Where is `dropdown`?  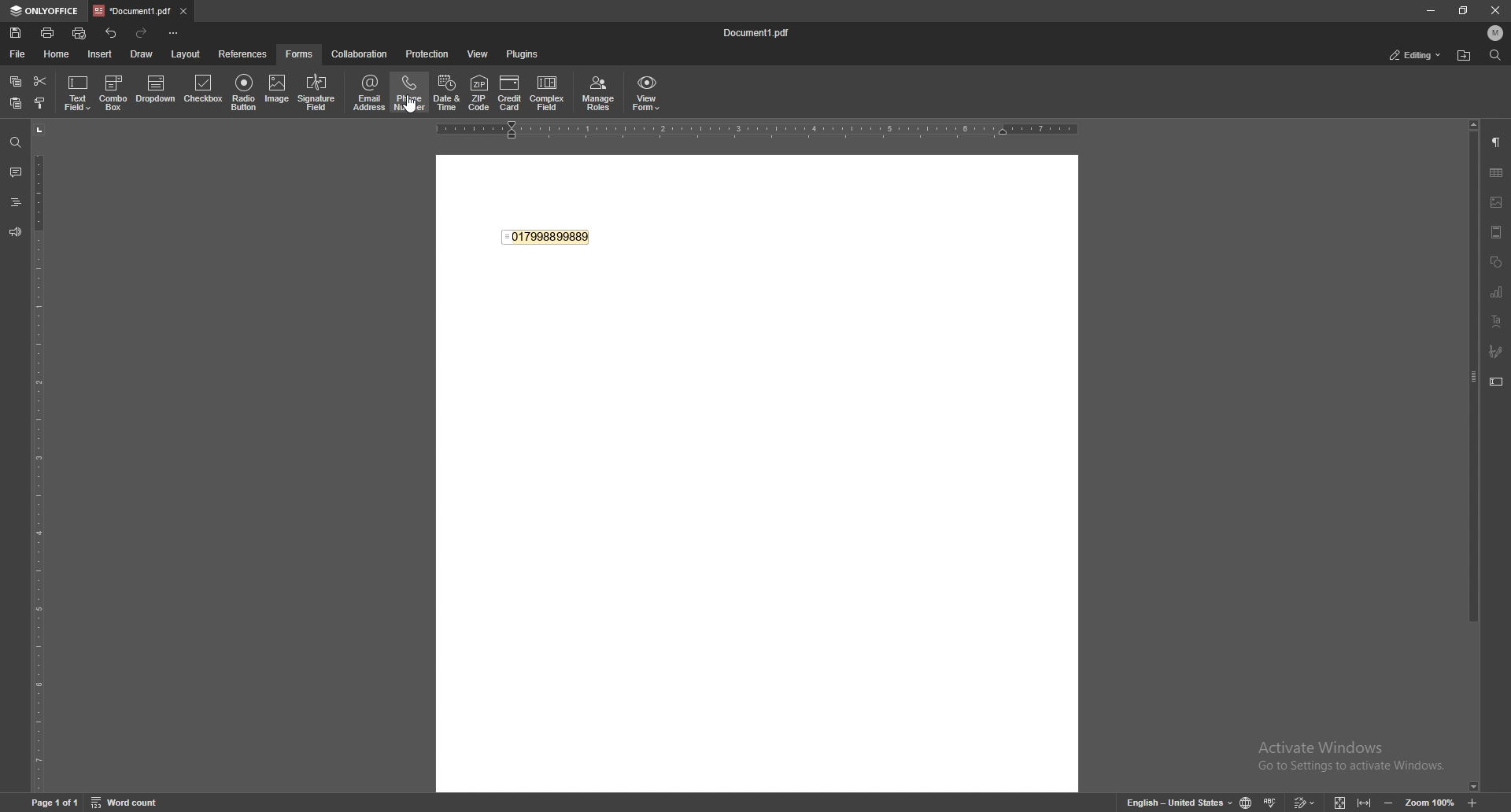
dropdown is located at coordinates (157, 90).